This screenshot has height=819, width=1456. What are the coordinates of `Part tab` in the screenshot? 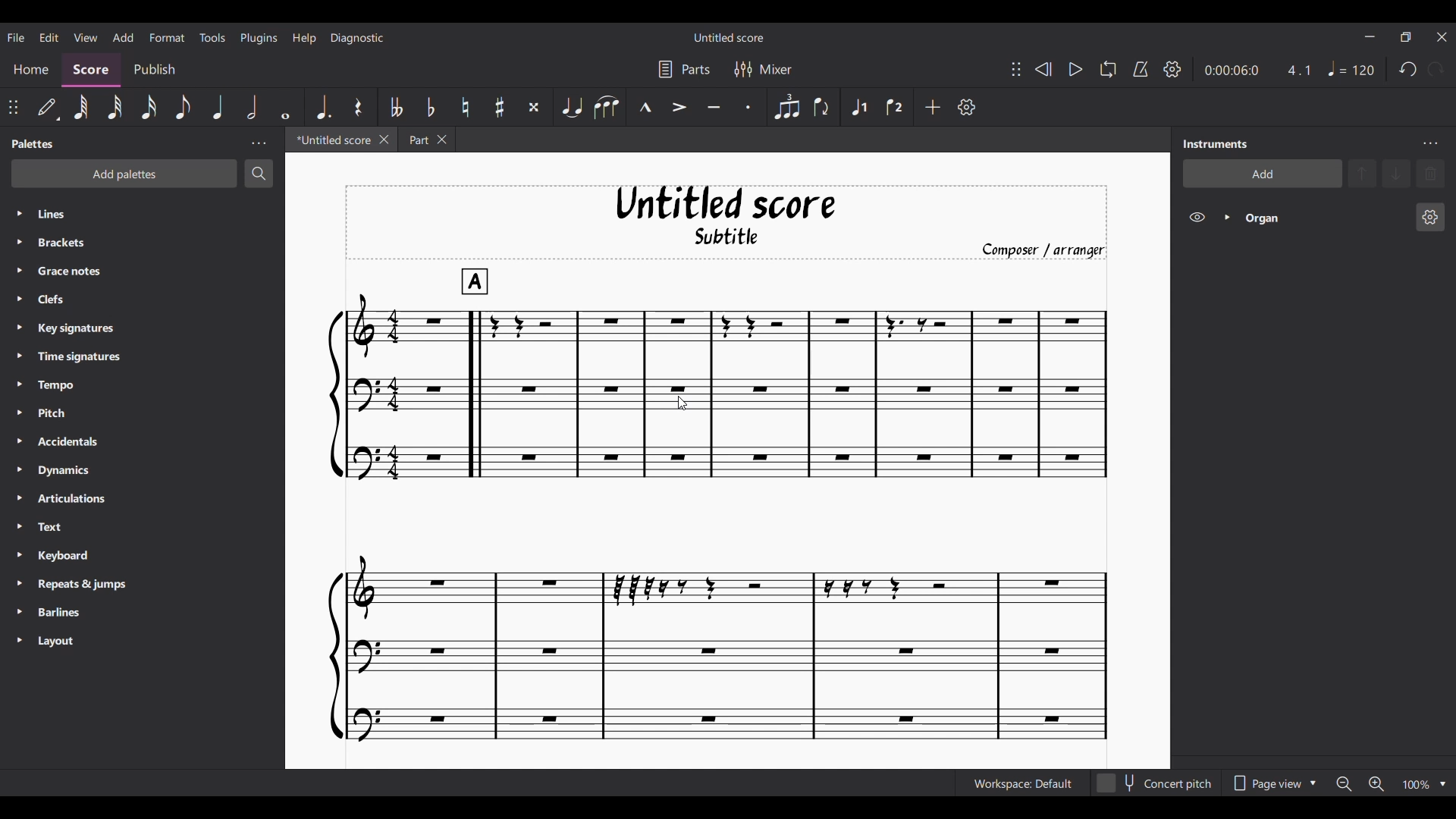 It's located at (417, 140).